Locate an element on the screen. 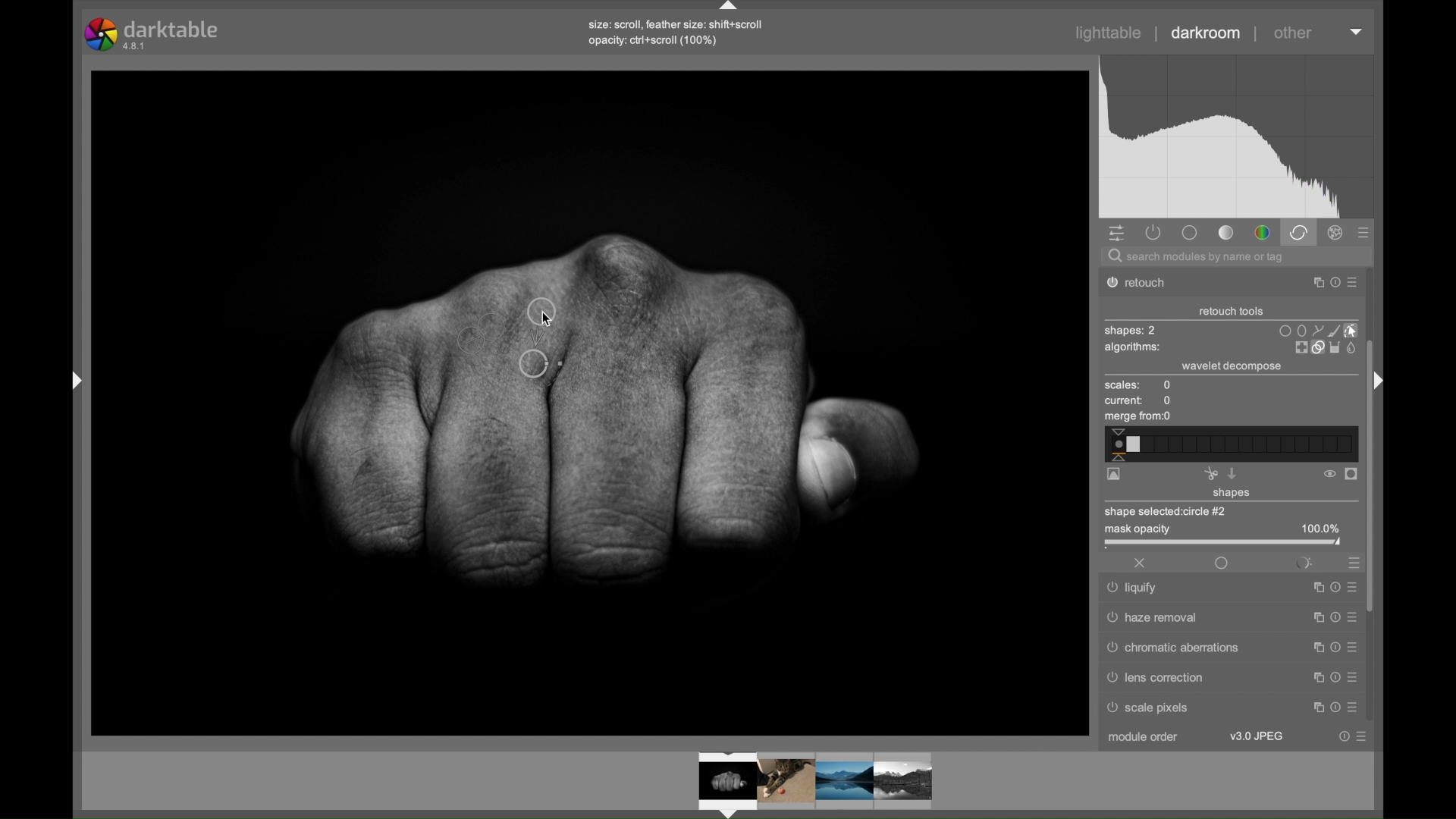  size: scroll, feather size: shift+scroll opacity: ctrl+scroll (100%) is located at coordinates (679, 33).